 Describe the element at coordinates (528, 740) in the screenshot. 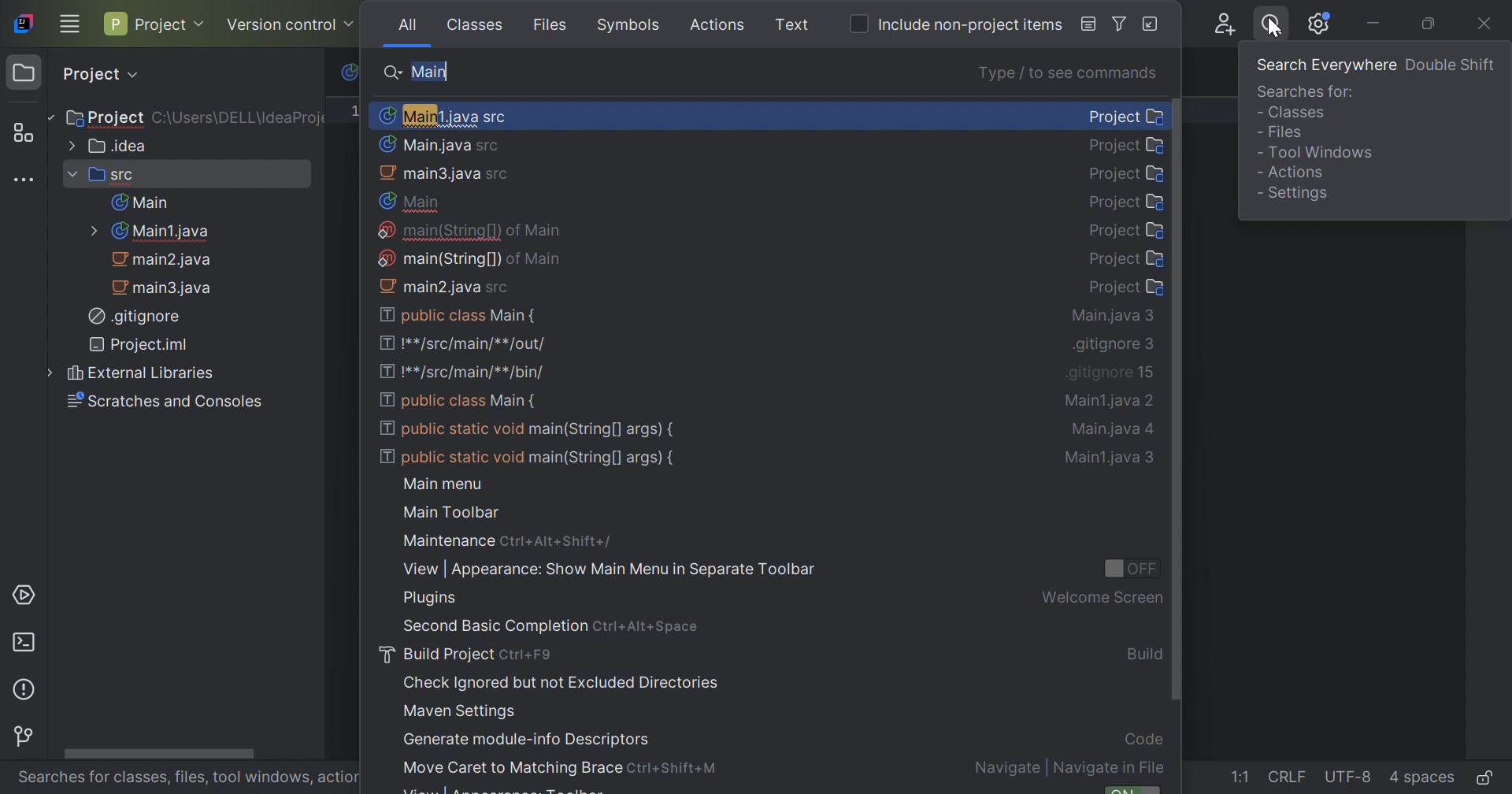

I see `Generate module-info Descriptions` at that location.